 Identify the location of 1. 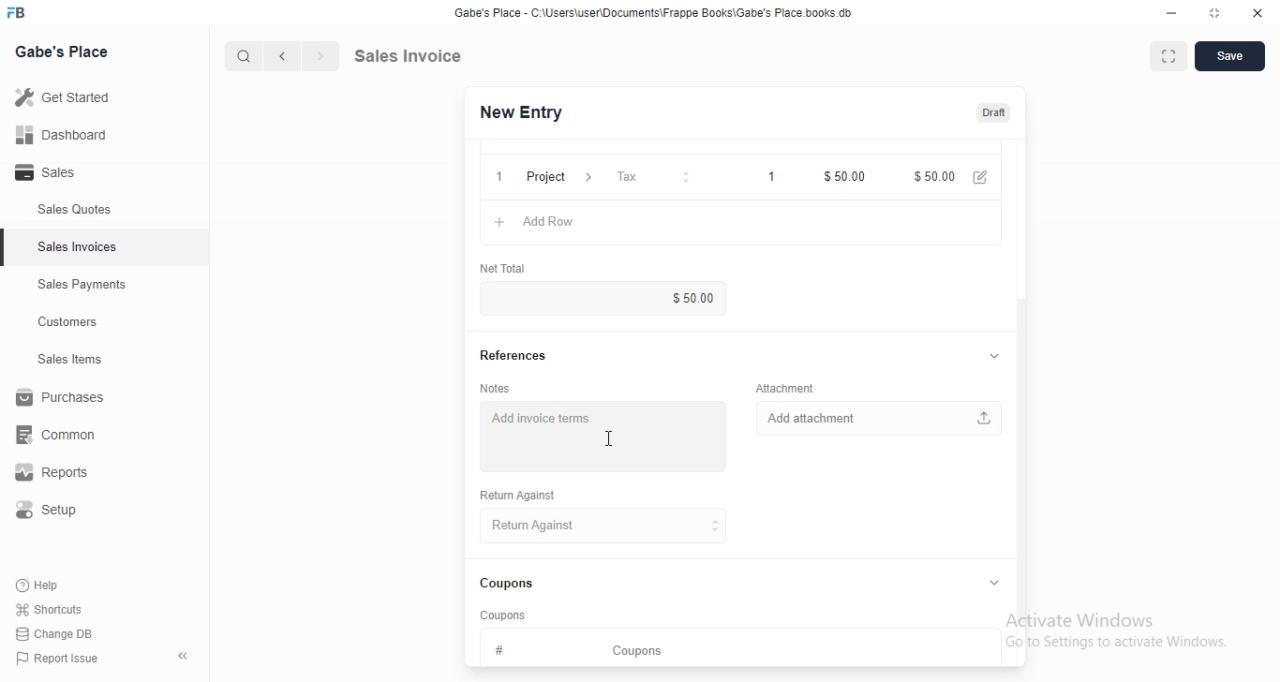
(495, 174).